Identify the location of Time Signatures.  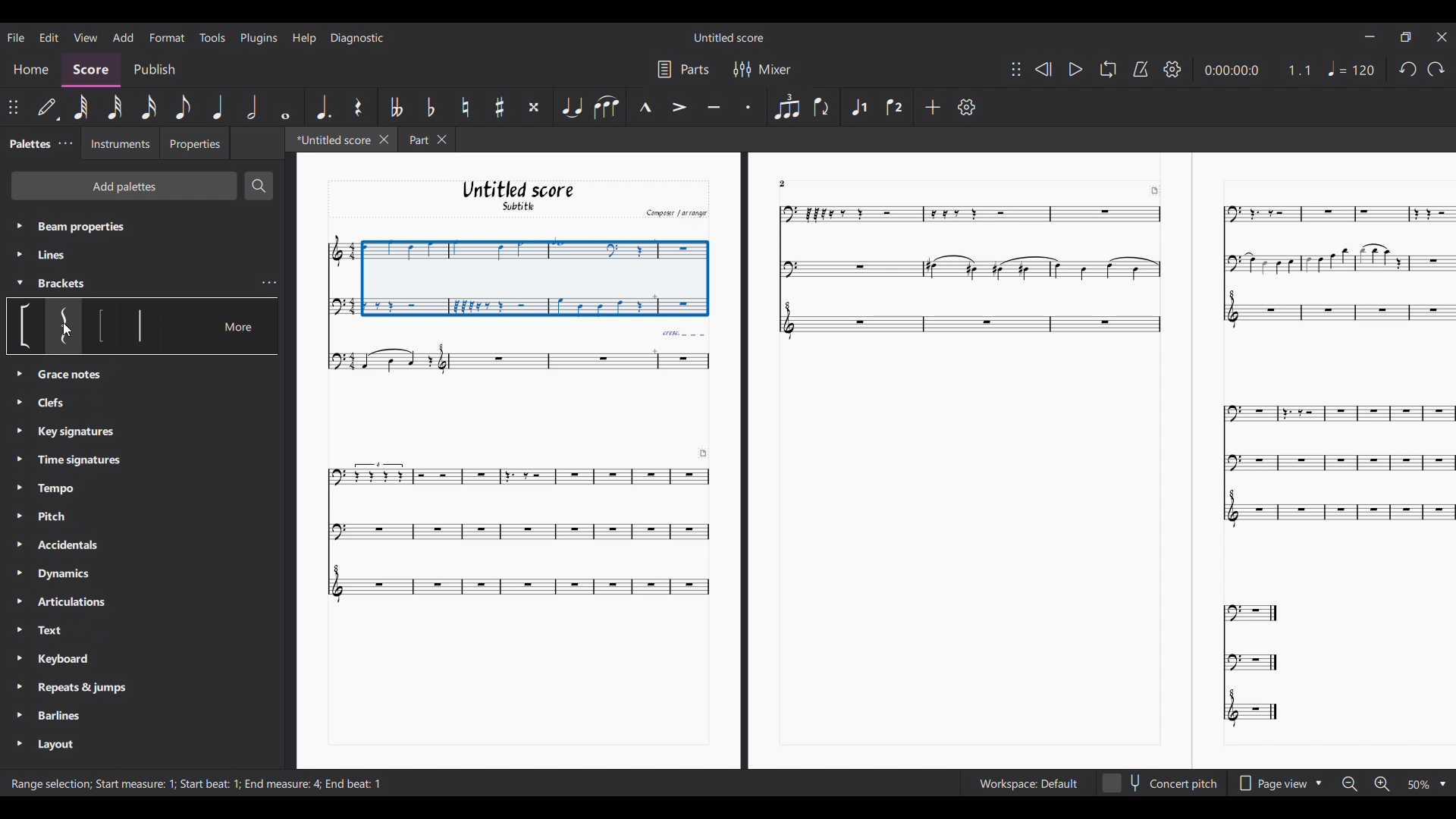
(80, 457).